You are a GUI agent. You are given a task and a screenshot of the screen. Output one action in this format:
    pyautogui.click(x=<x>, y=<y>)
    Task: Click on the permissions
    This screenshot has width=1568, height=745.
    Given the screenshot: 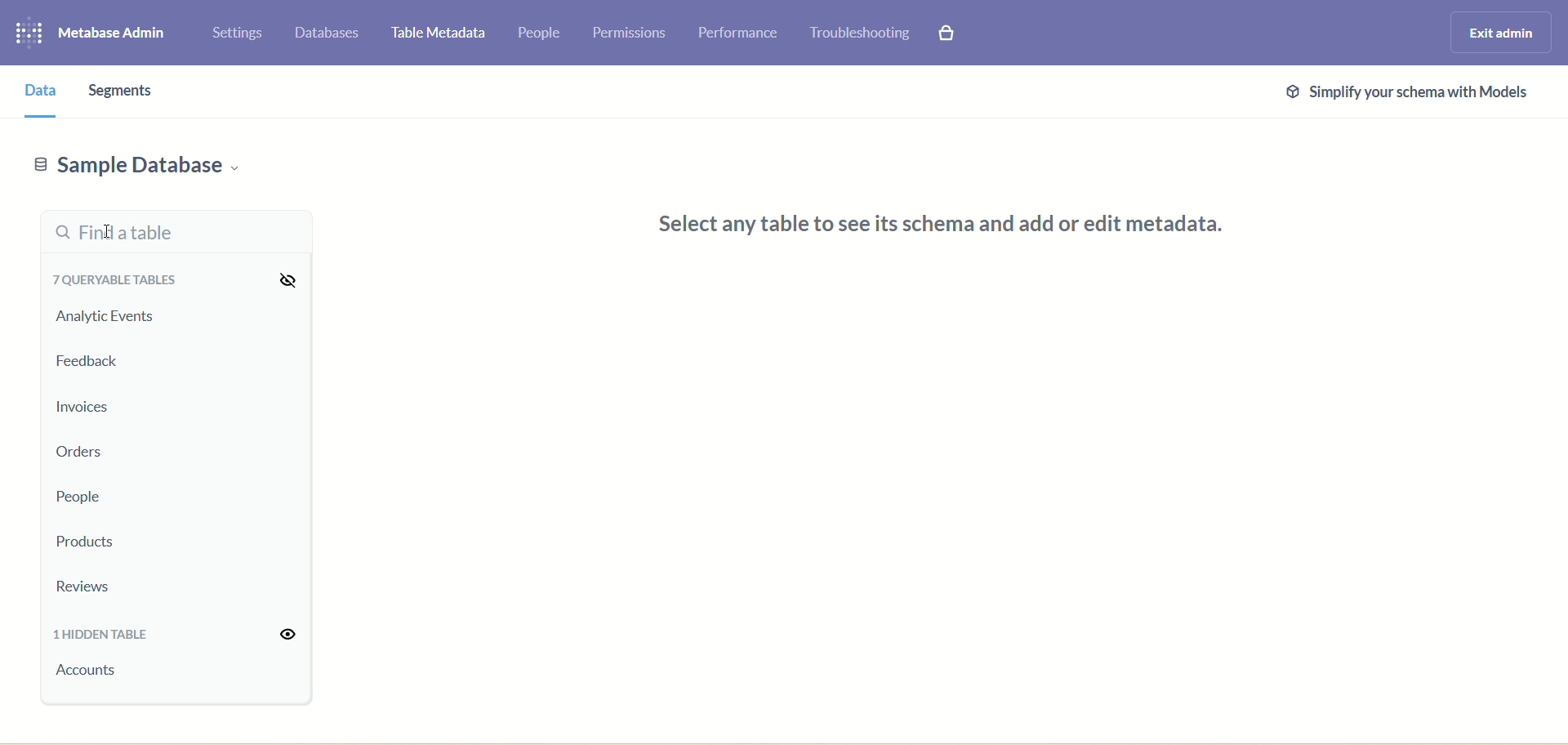 What is the action you would take?
    pyautogui.click(x=630, y=32)
    